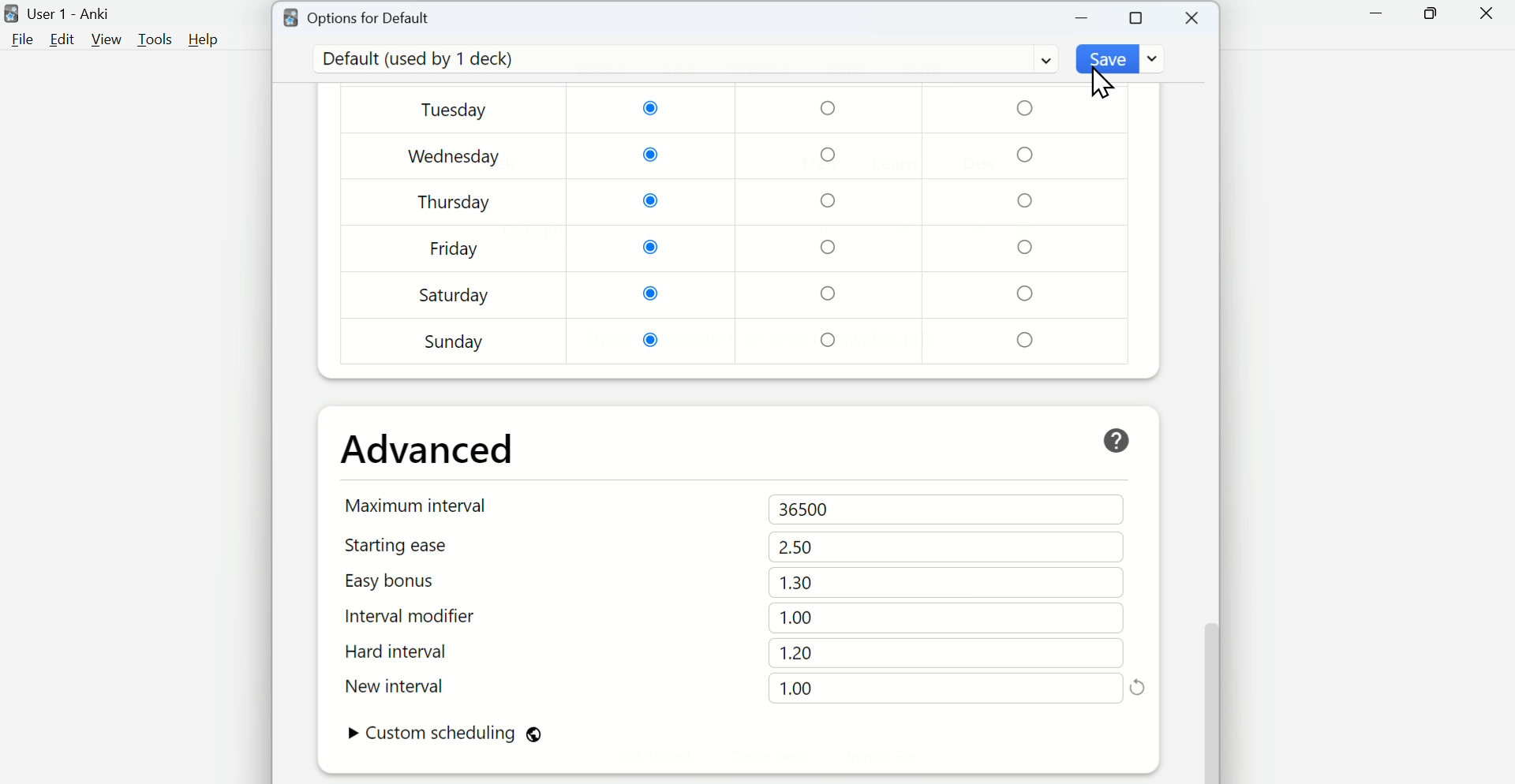 This screenshot has width=1515, height=784. Describe the element at coordinates (799, 618) in the screenshot. I see `1.00` at that location.